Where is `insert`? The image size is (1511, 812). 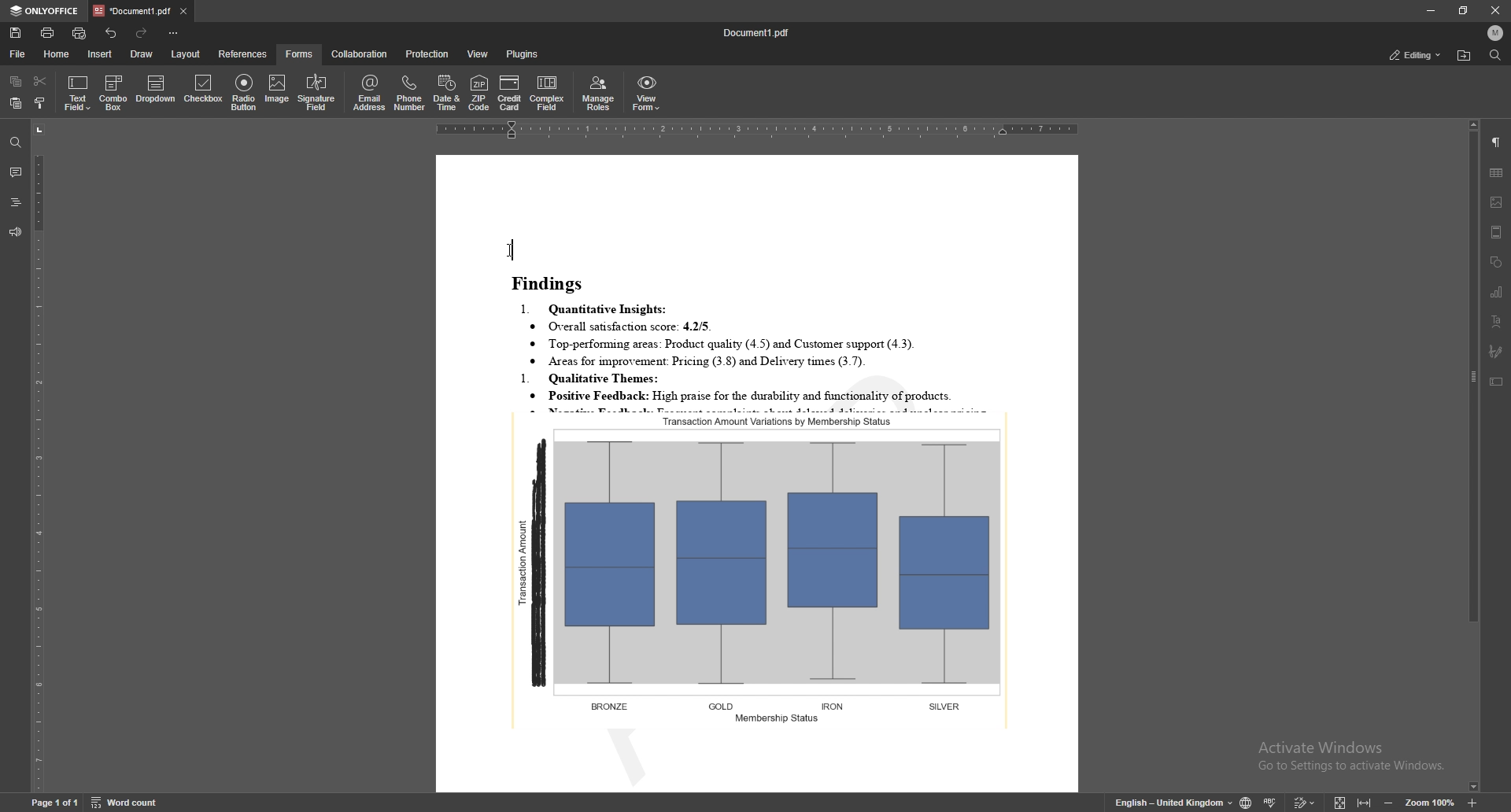 insert is located at coordinates (99, 54).